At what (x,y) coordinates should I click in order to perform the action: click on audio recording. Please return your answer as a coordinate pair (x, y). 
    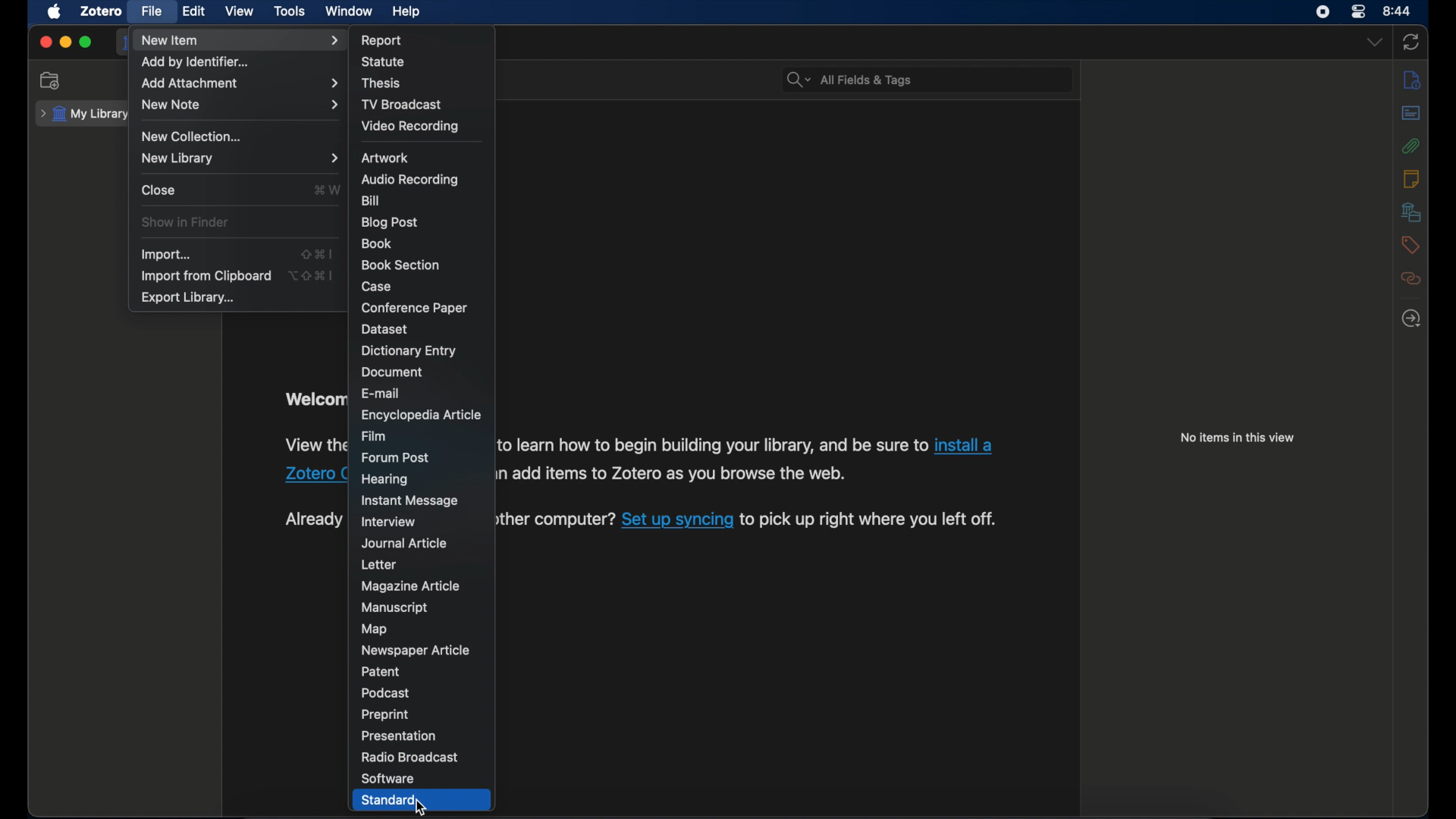
    Looking at the image, I should click on (410, 180).